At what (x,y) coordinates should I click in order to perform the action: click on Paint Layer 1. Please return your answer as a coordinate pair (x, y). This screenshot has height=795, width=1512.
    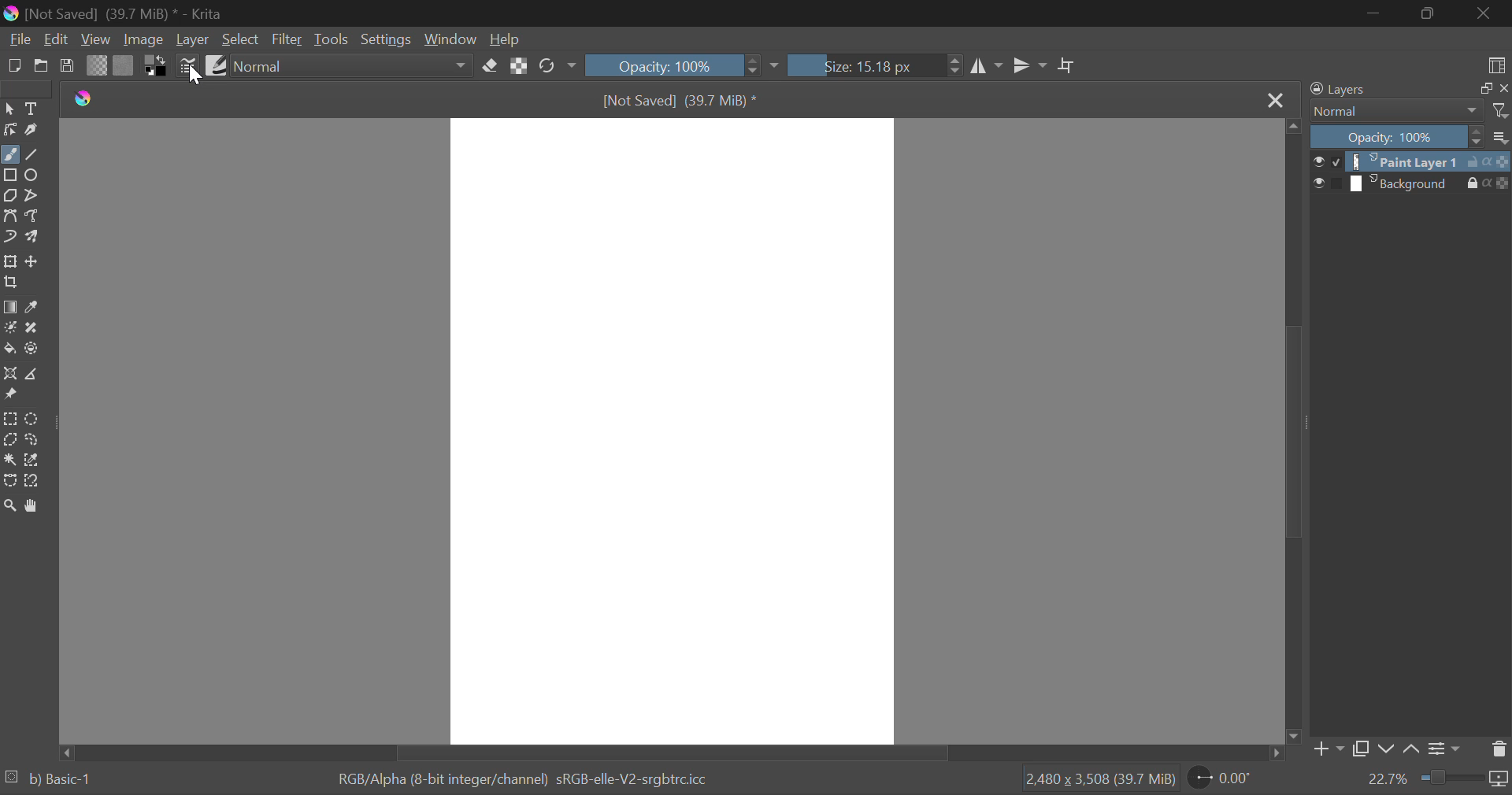
    Looking at the image, I should click on (1412, 161).